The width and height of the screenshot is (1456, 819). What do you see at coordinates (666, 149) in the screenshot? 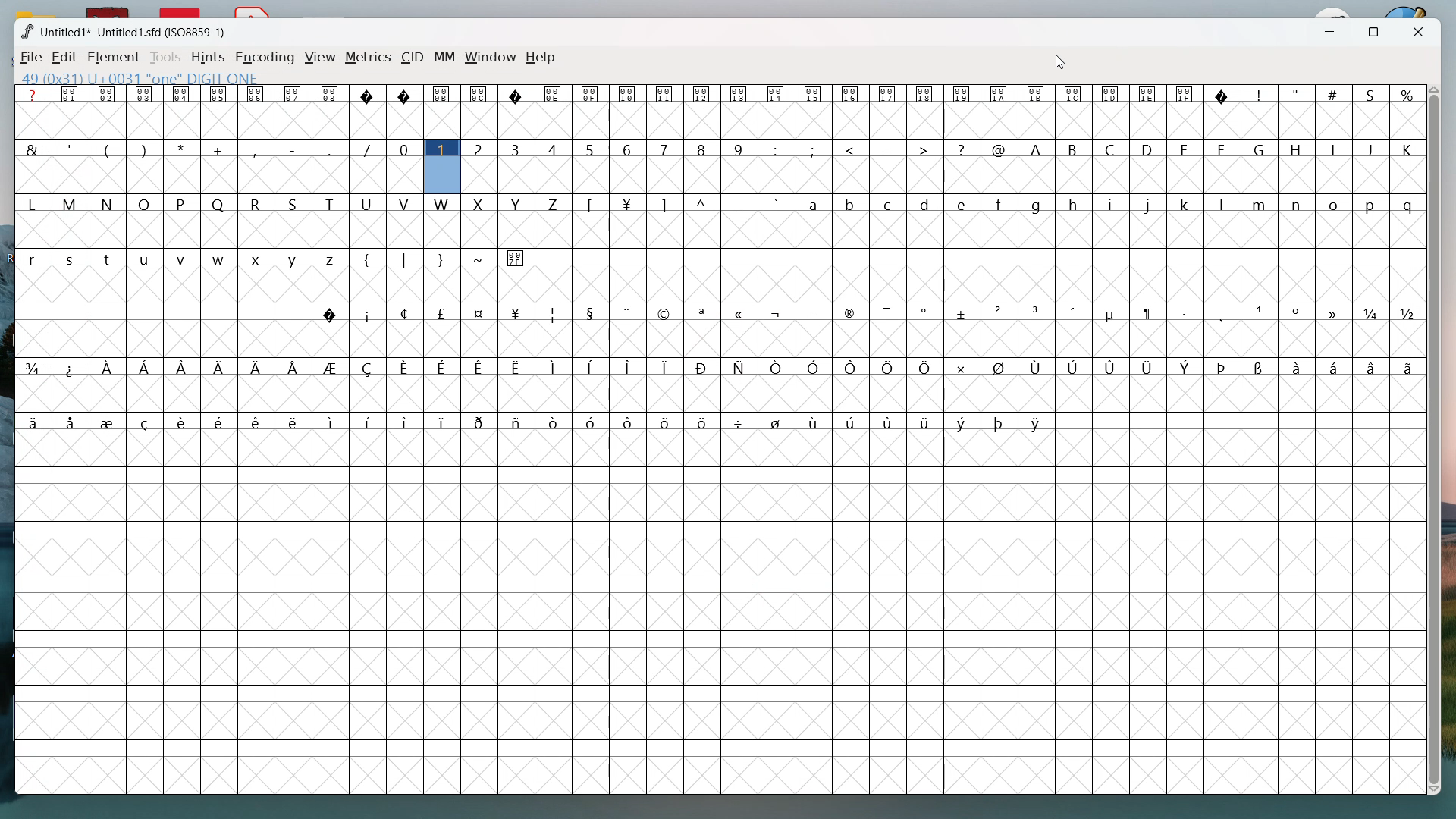
I see `7` at bounding box center [666, 149].